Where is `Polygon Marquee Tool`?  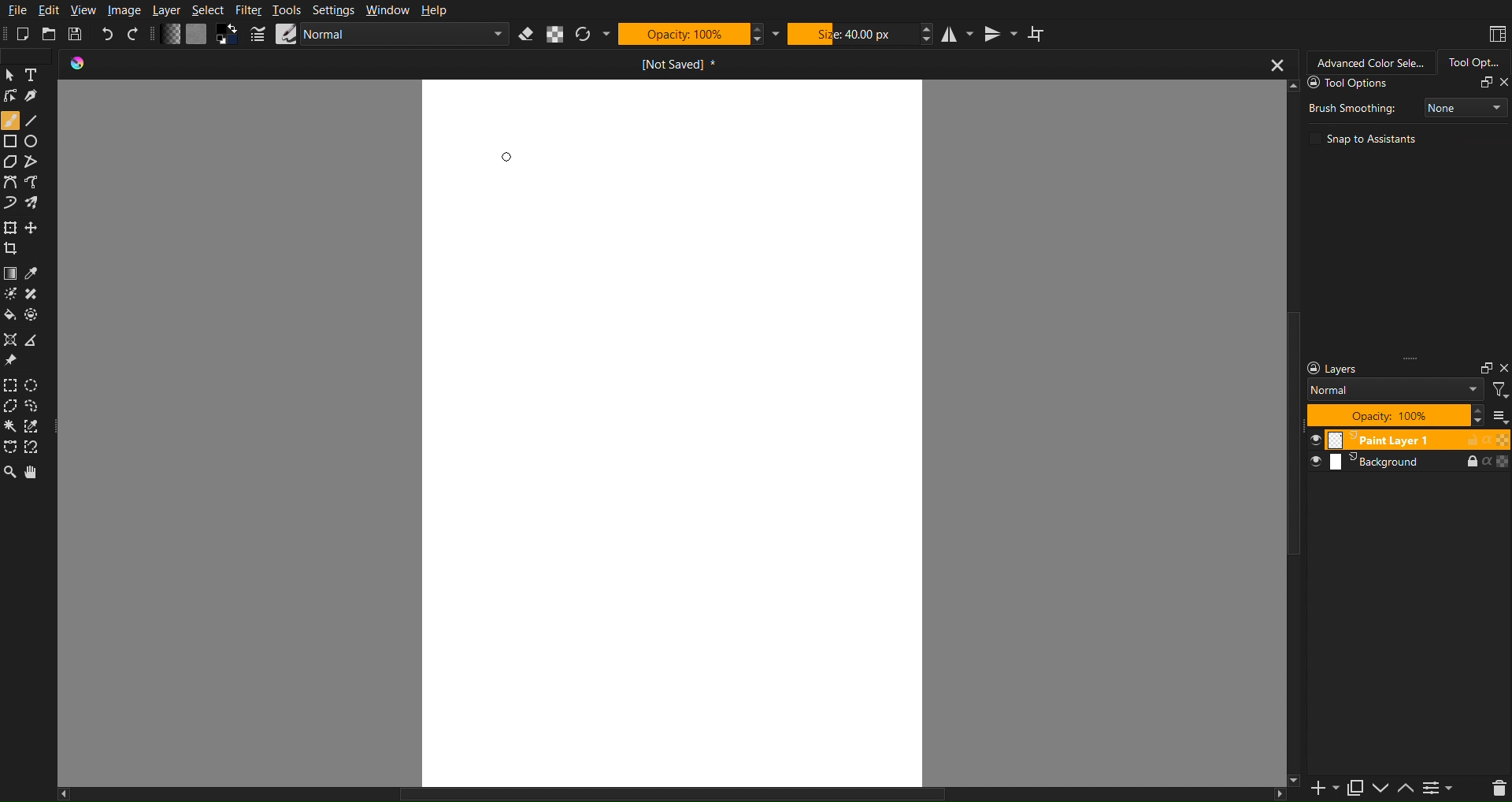 Polygon Marquee Tool is located at coordinates (13, 408).